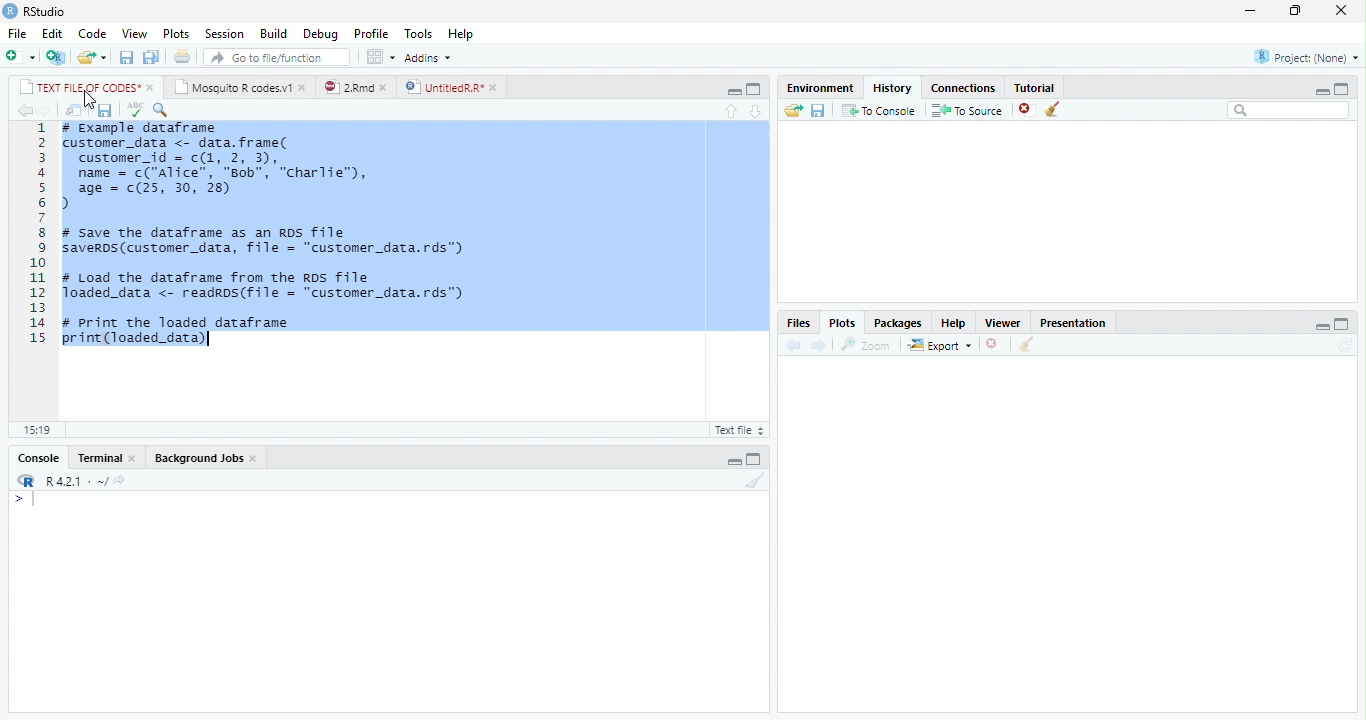 The image size is (1366, 720). Describe the element at coordinates (1028, 109) in the screenshot. I see `close file` at that location.